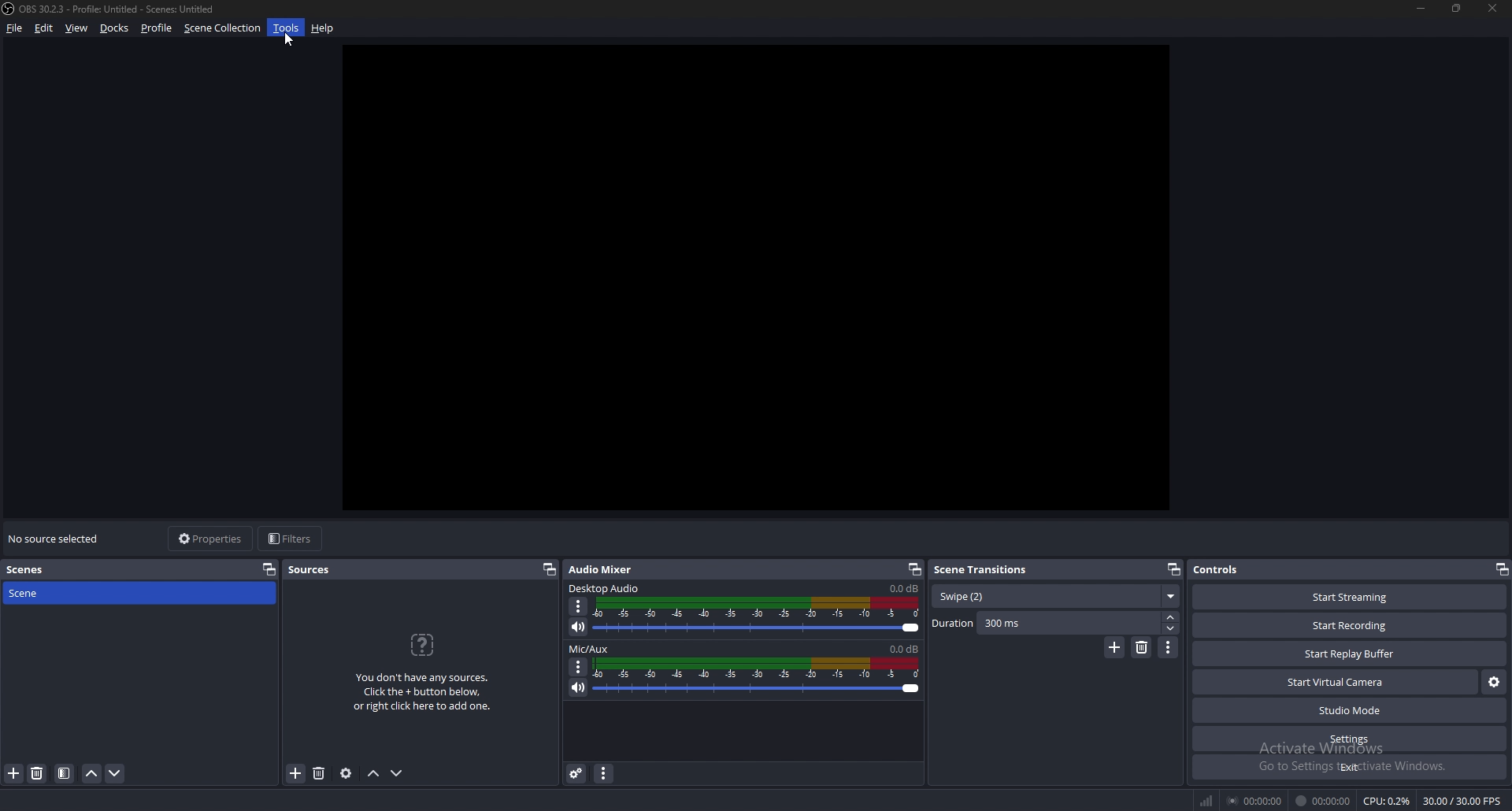 This screenshot has width=1512, height=811. Describe the element at coordinates (1114, 647) in the screenshot. I see `add transition` at that location.